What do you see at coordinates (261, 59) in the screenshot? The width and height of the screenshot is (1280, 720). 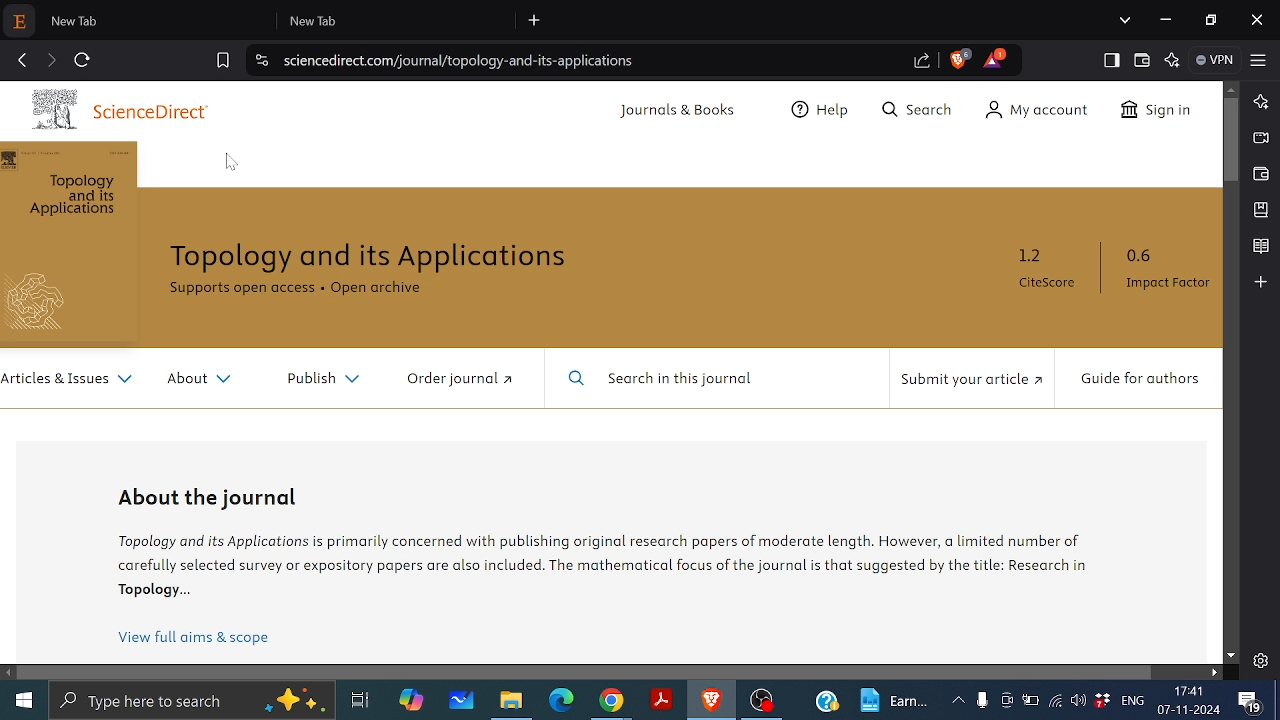 I see `Site information` at bounding box center [261, 59].